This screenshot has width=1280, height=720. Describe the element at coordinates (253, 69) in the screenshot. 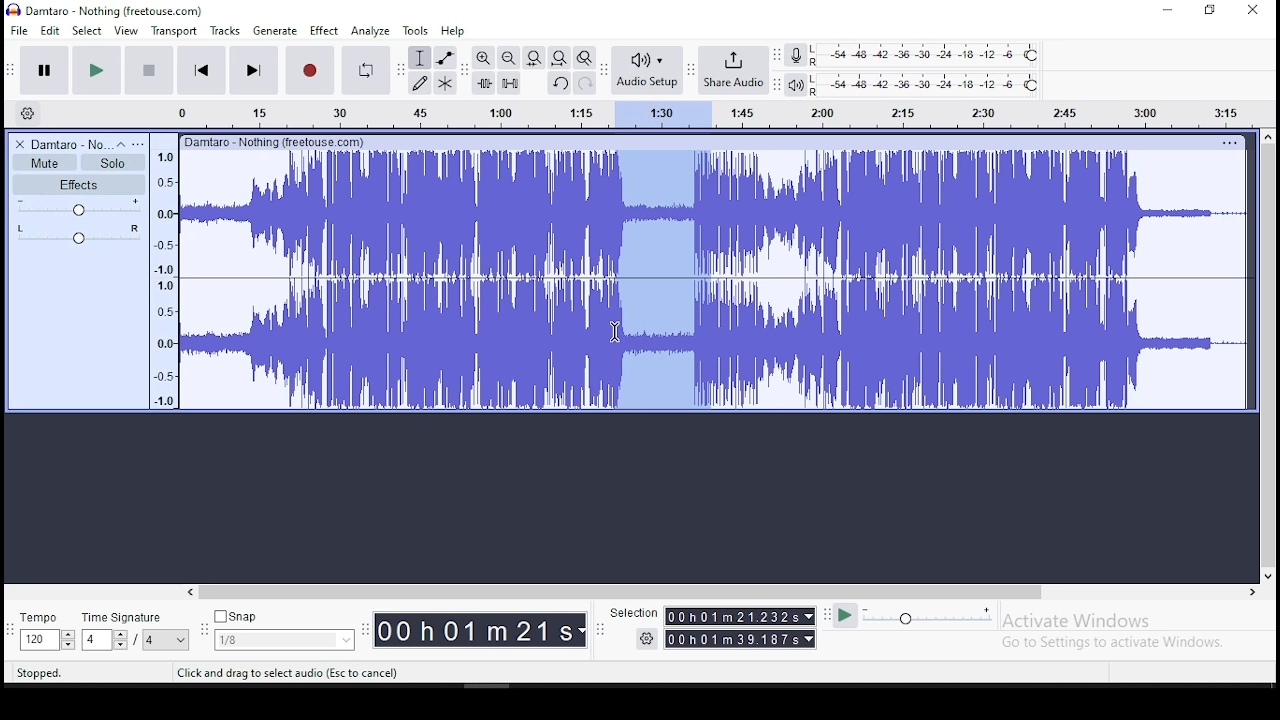

I see `skip to start` at that location.